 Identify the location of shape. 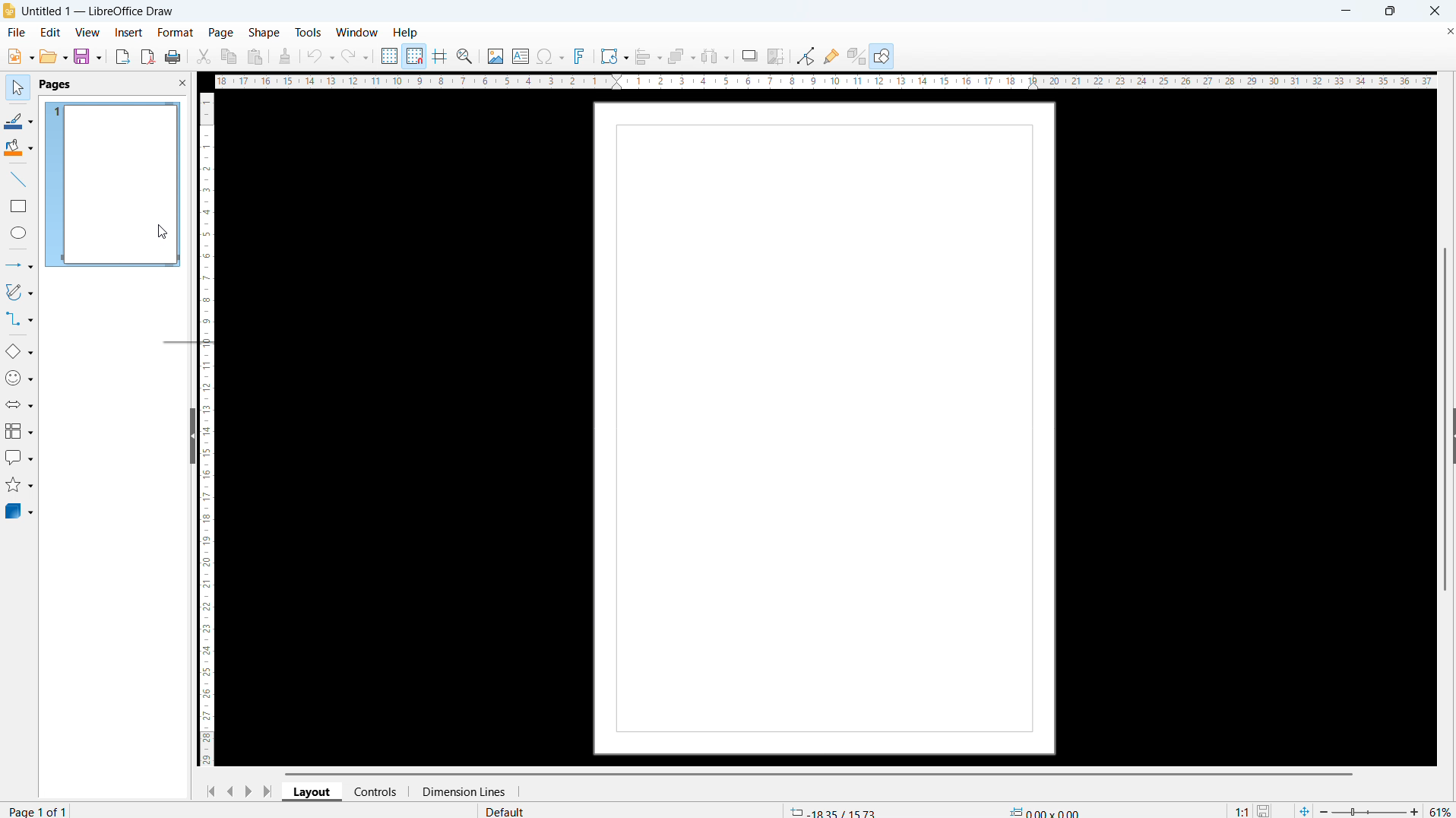
(264, 33).